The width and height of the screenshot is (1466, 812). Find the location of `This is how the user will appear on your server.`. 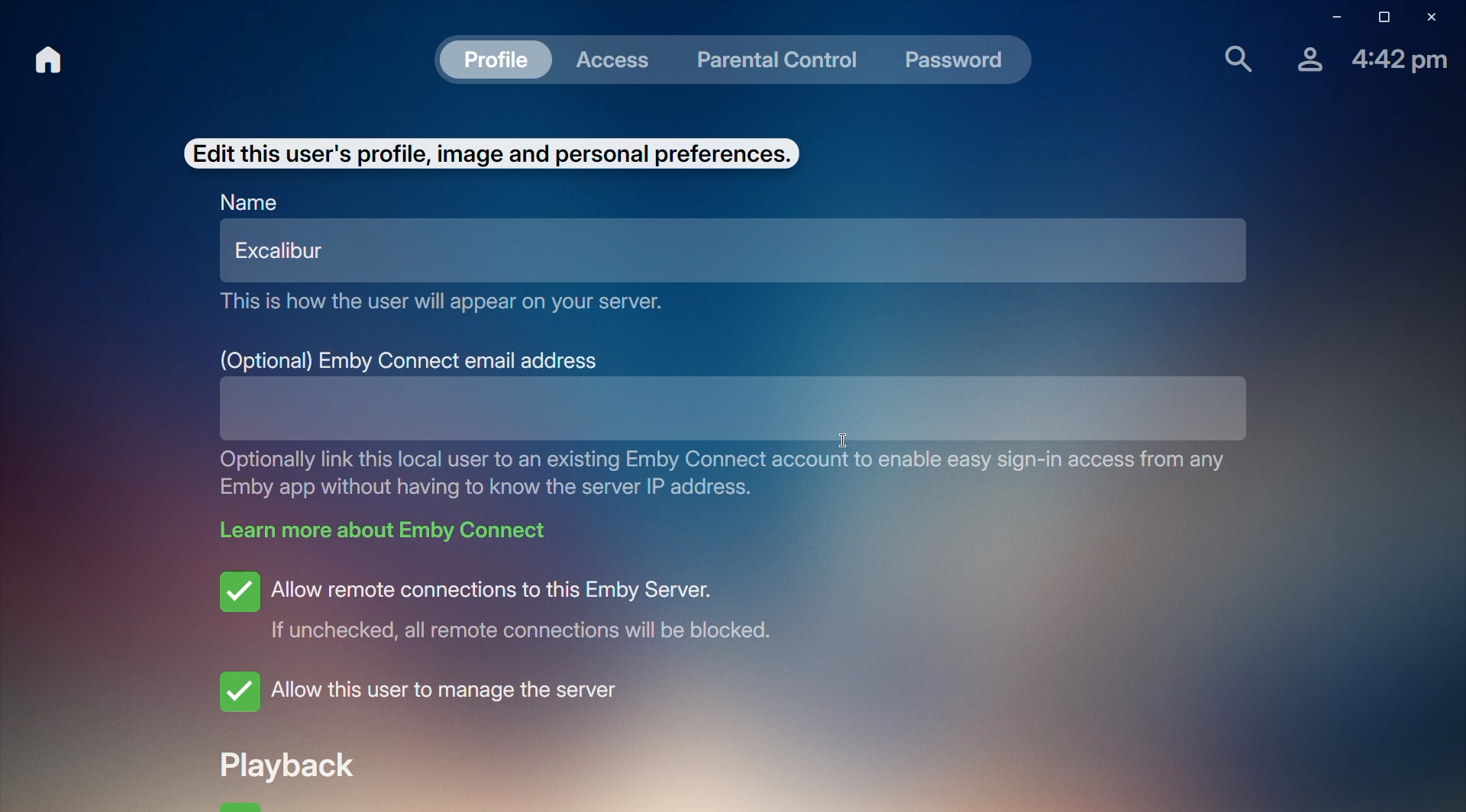

This is how the user will appear on your server. is located at coordinates (453, 301).